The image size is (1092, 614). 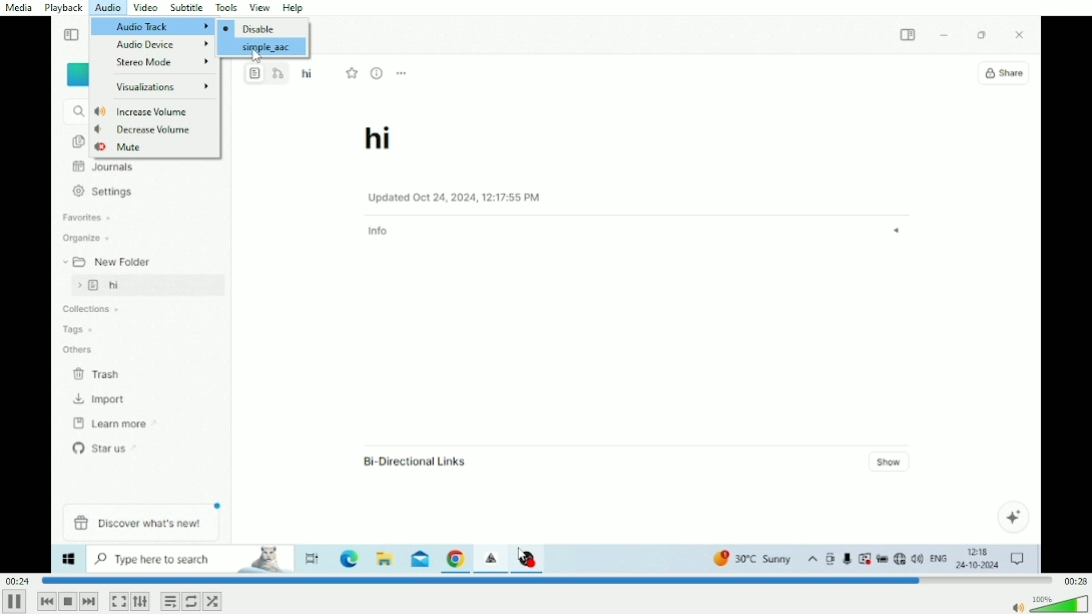 What do you see at coordinates (66, 8) in the screenshot?
I see `Playback` at bounding box center [66, 8].